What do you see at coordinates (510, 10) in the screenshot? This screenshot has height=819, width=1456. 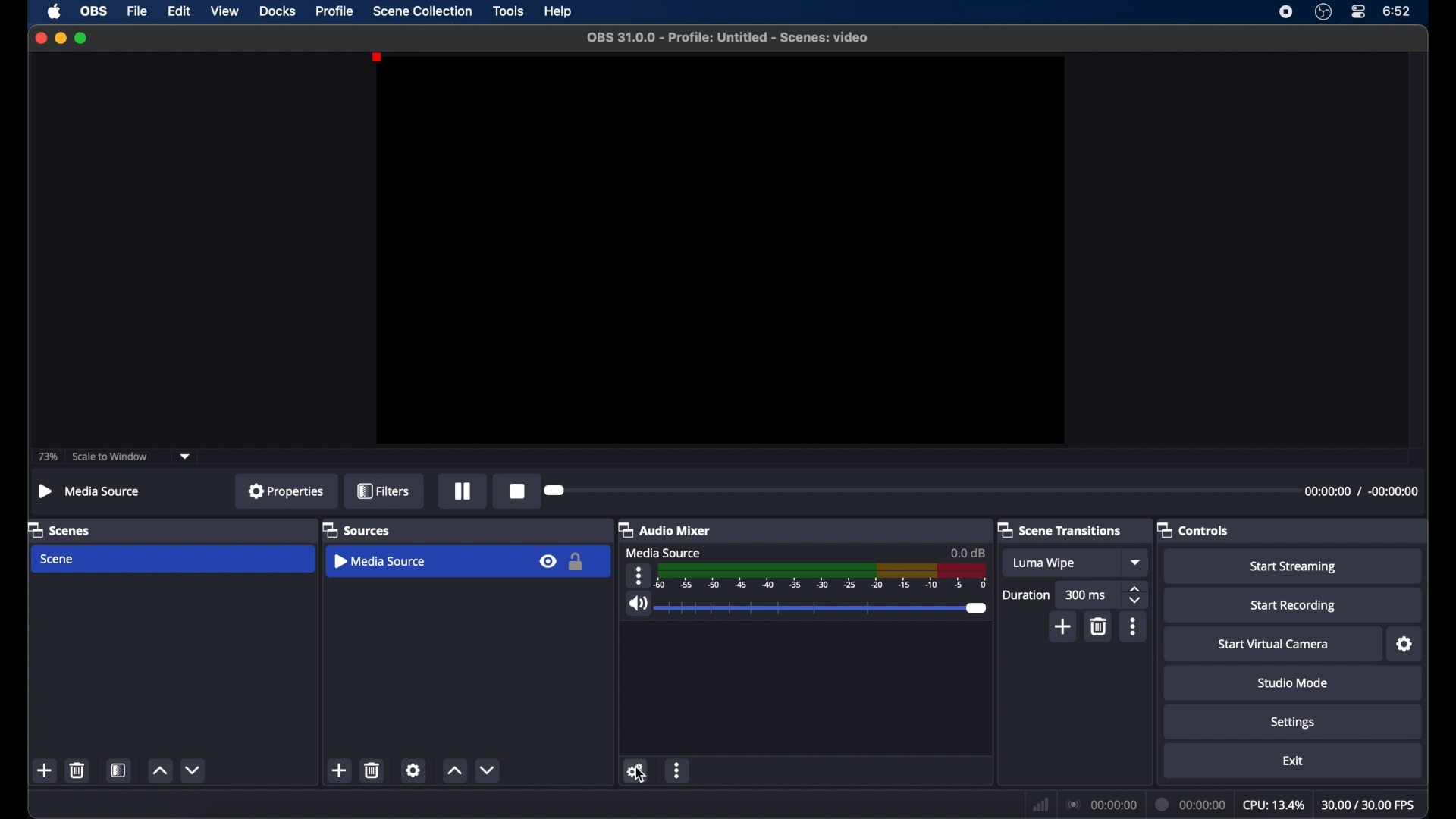 I see `tools` at bounding box center [510, 10].